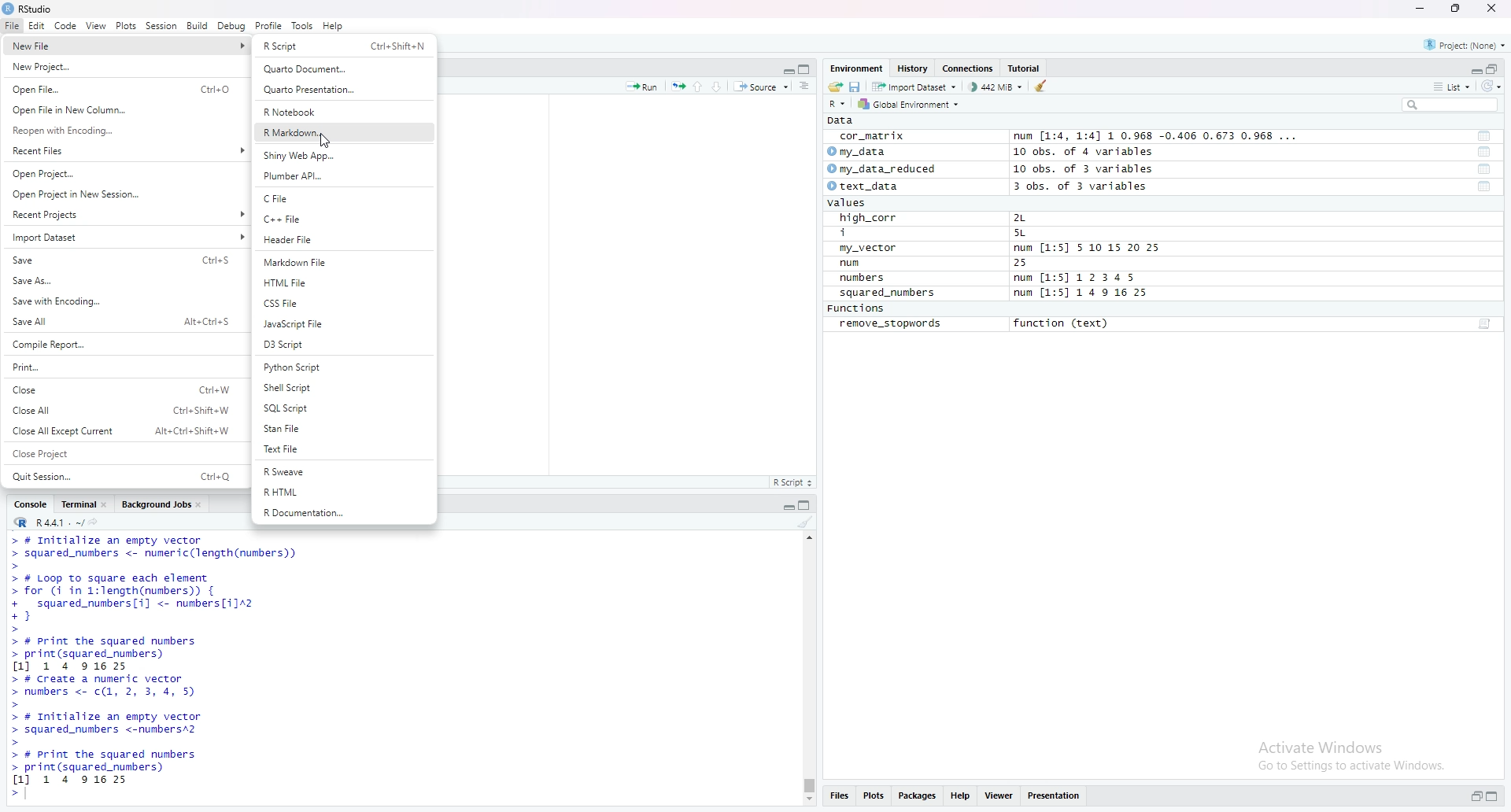  What do you see at coordinates (1098, 168) in the screenshot?
I see `10 obs. of 3 variables` at bounding box center [1098, 168].